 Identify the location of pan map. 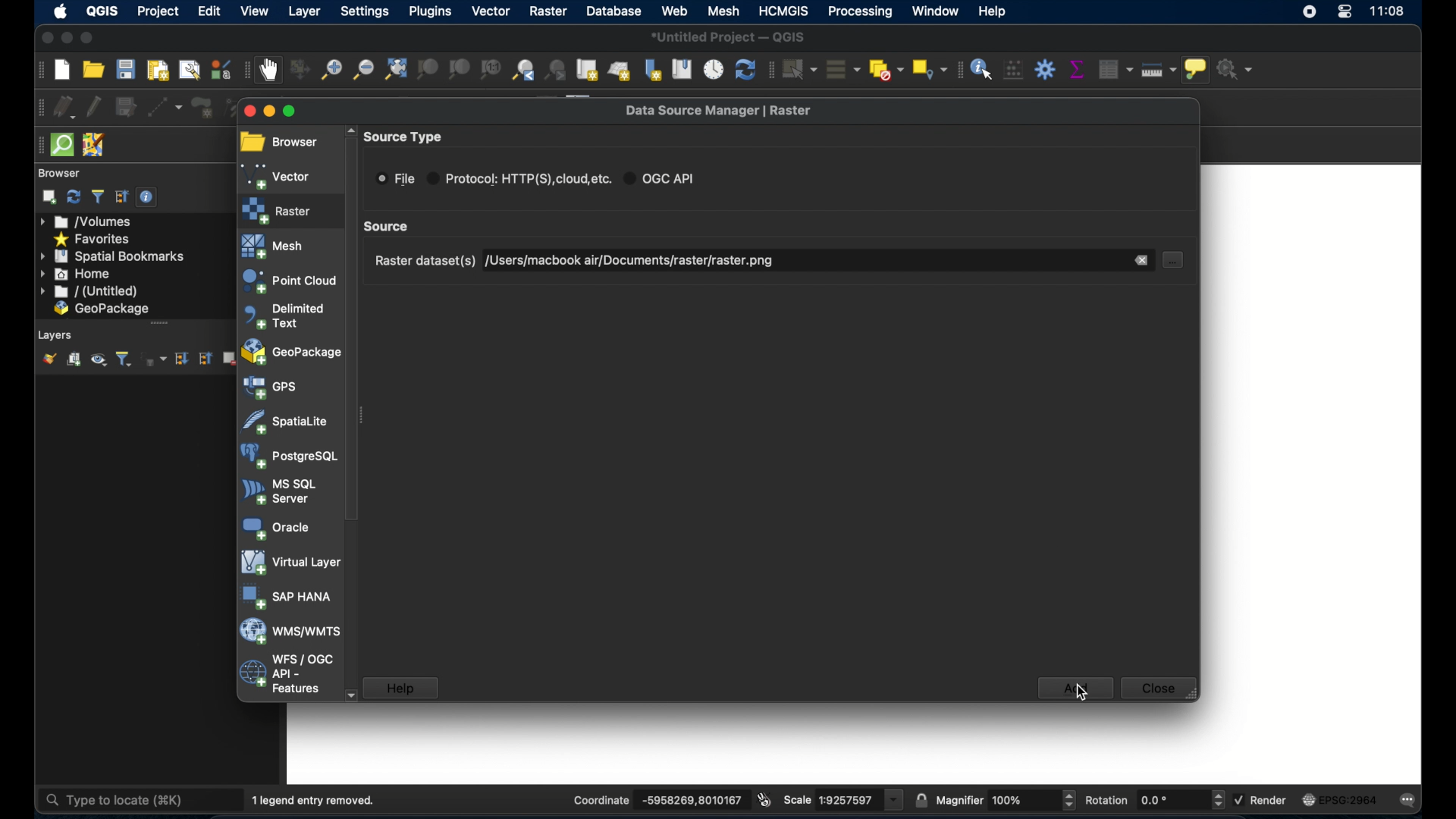
(271, 71).